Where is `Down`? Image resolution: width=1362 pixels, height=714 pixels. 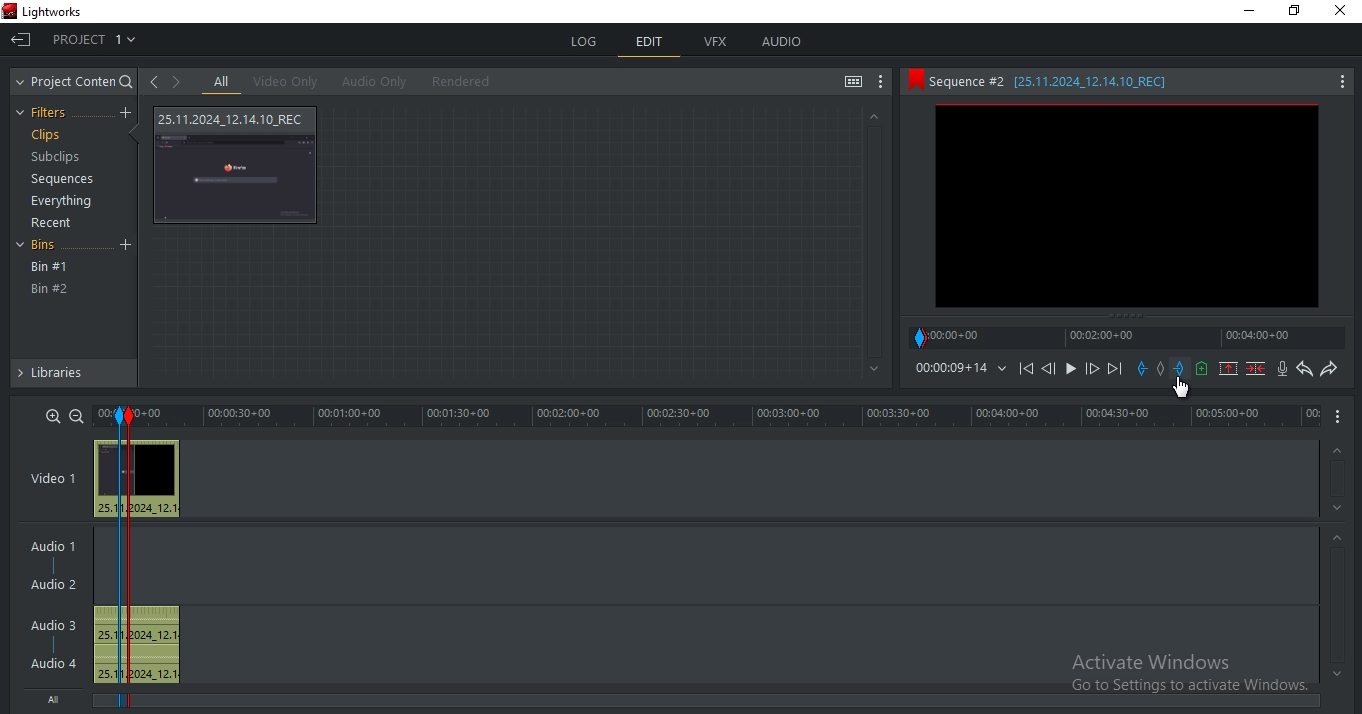 Down is located at coordinates (1338, 508).